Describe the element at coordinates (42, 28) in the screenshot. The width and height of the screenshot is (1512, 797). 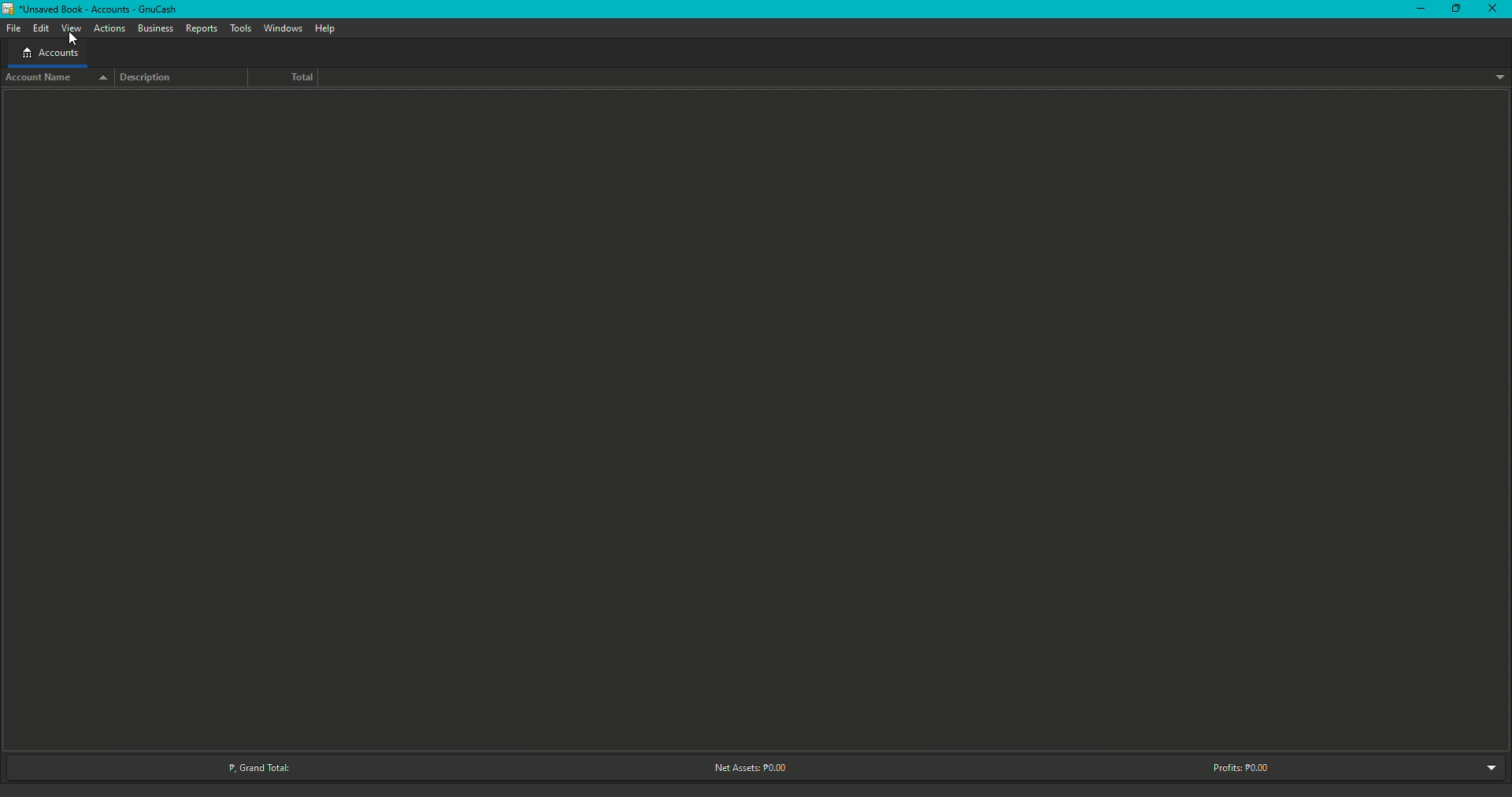
I see `Edit` at that location.